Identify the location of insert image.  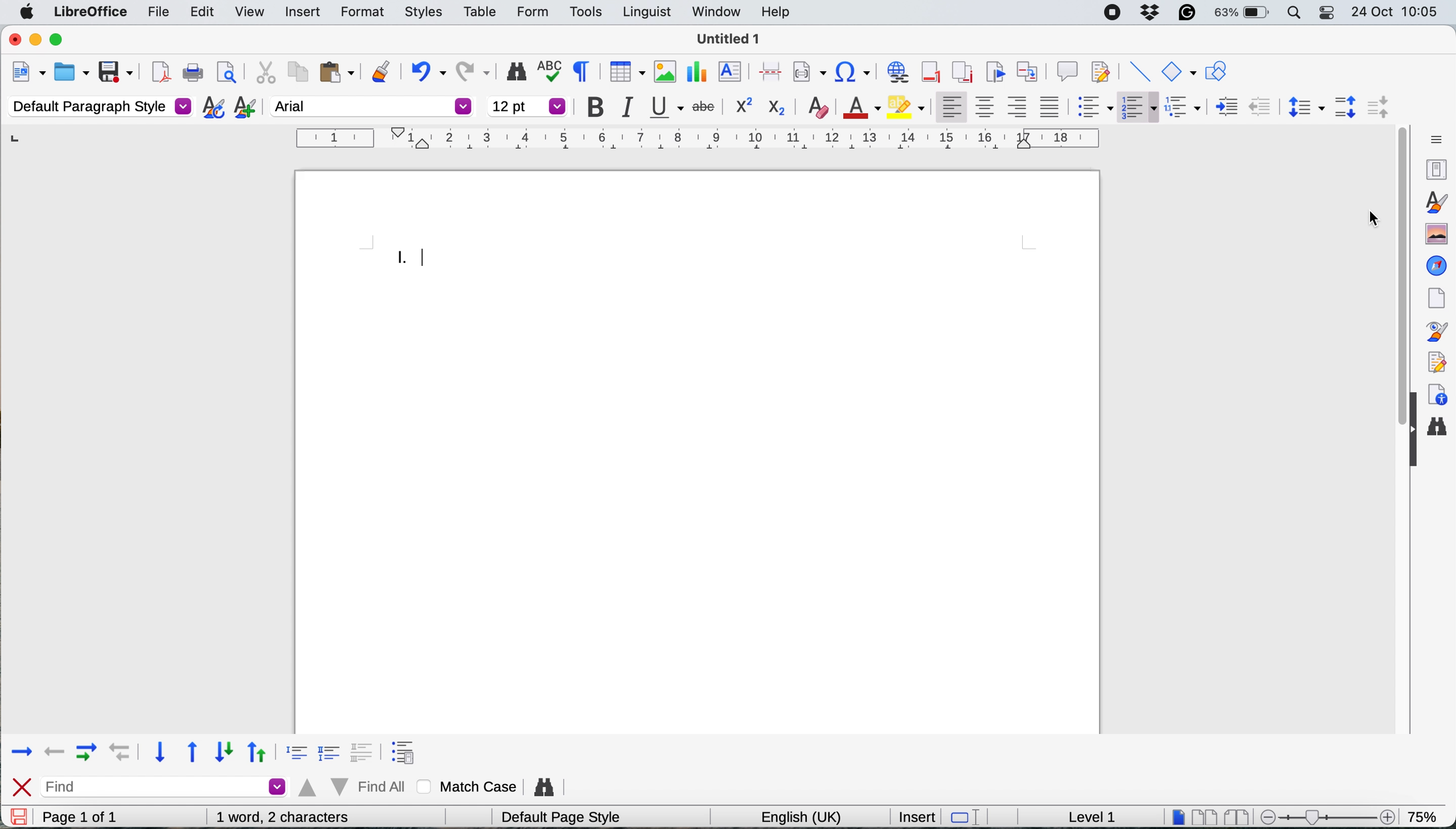
(663, 71).